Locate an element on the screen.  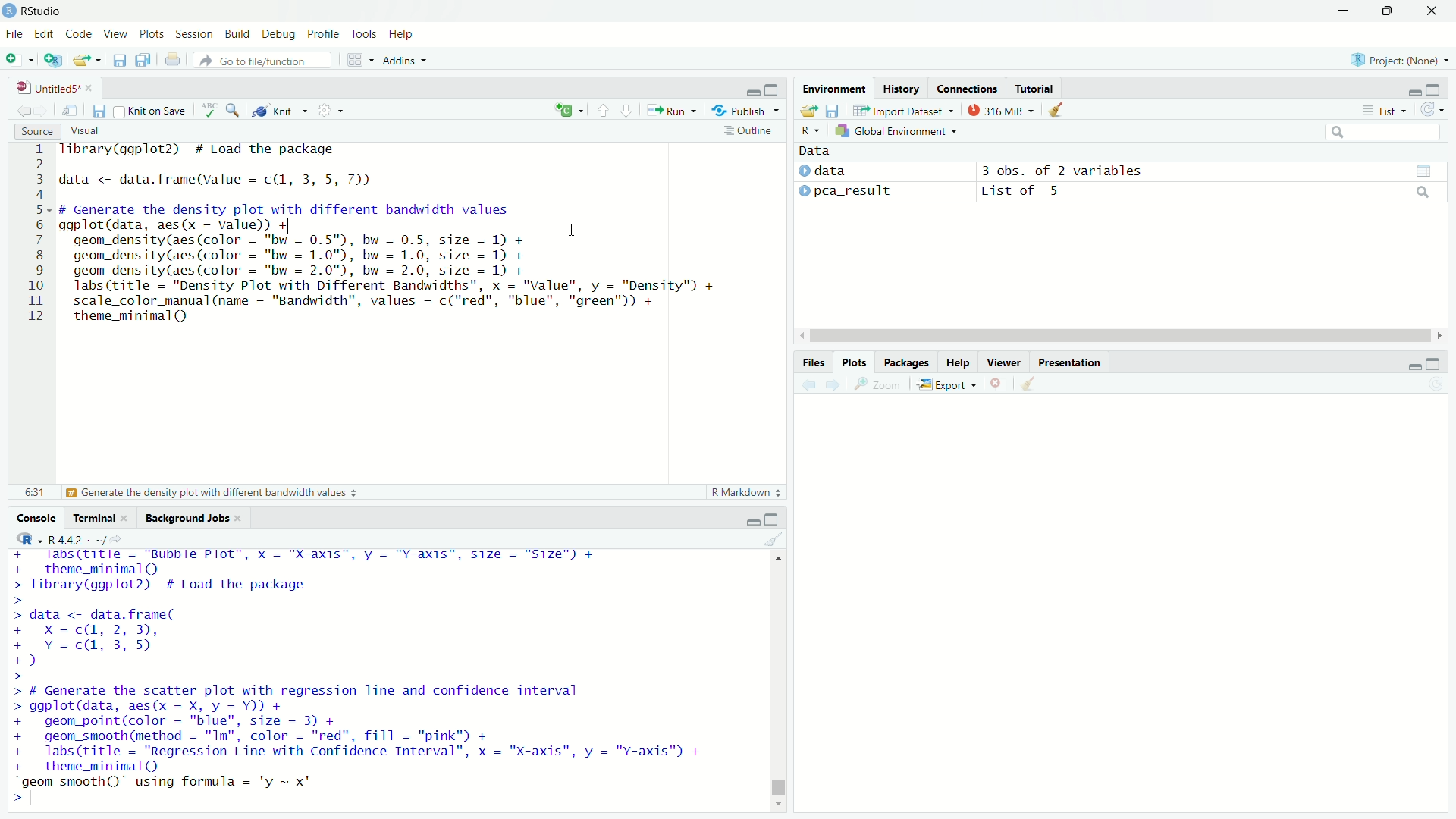
RStudio is located at coordinates (32, 11).